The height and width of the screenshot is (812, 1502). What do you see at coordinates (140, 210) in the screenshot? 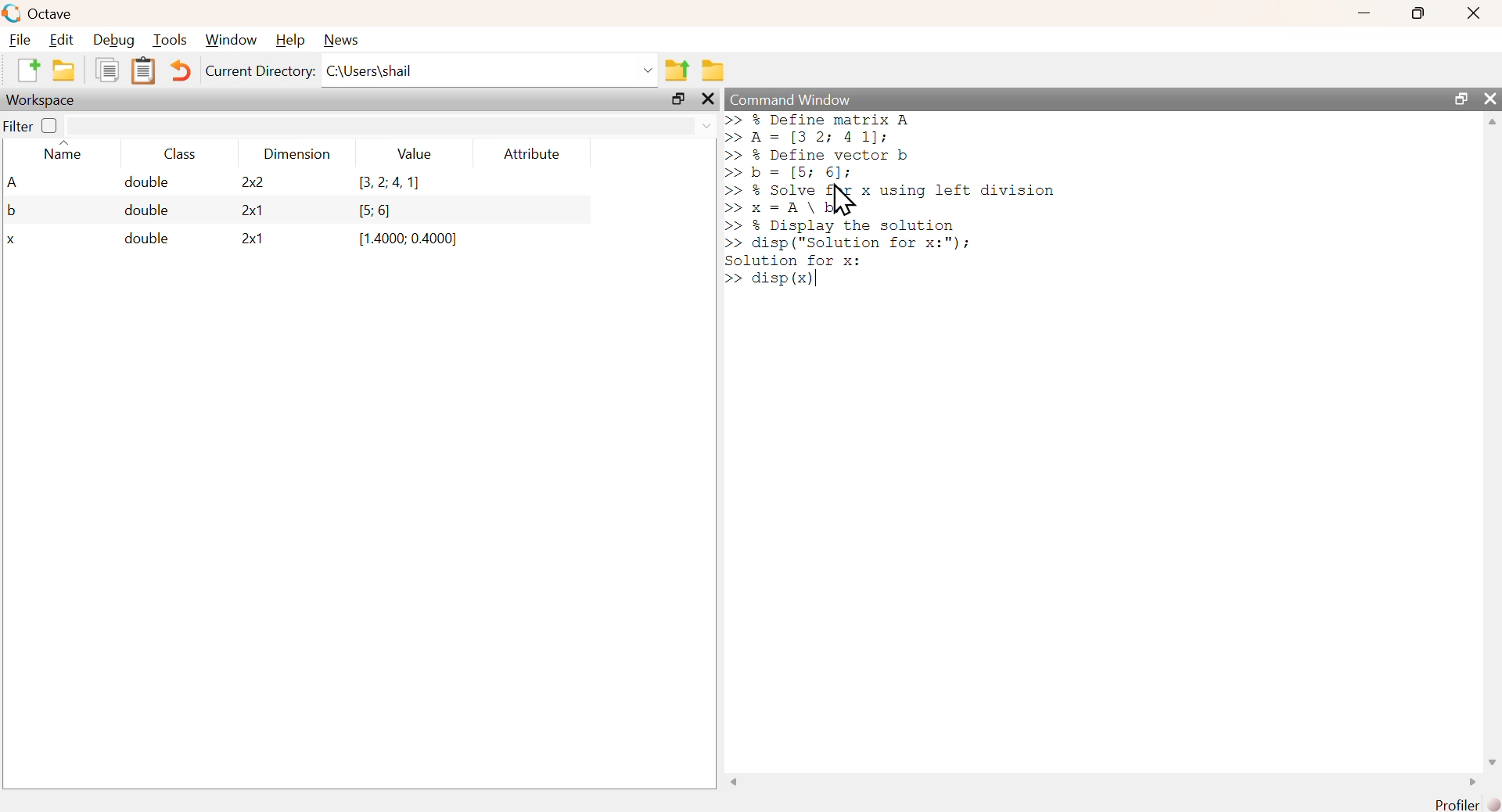
I see `double` at bounding box center [140, 210].